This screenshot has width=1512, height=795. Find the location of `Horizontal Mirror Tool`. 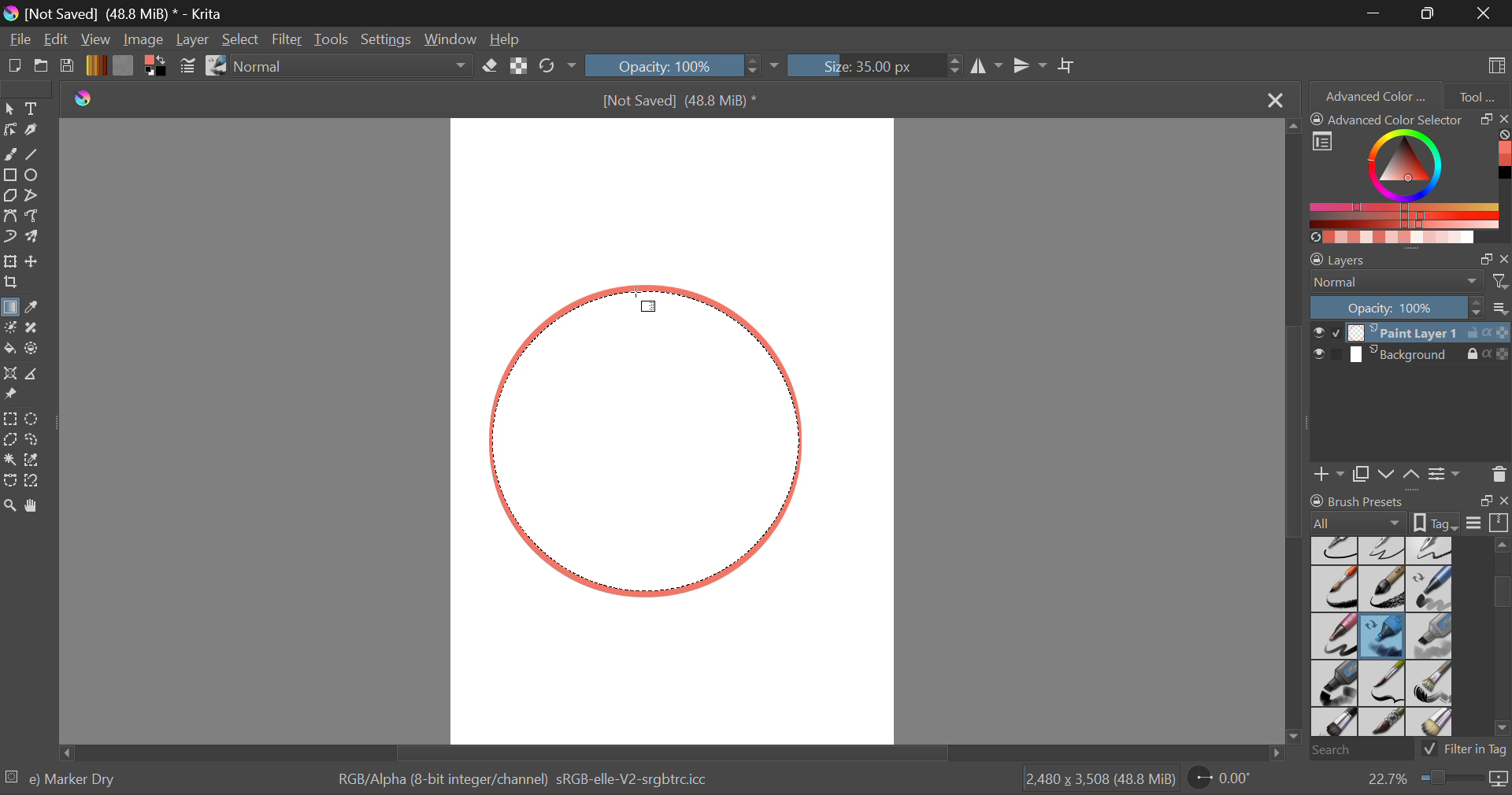

Horizontal Mirror Tool is located at coordinates (986, 65).